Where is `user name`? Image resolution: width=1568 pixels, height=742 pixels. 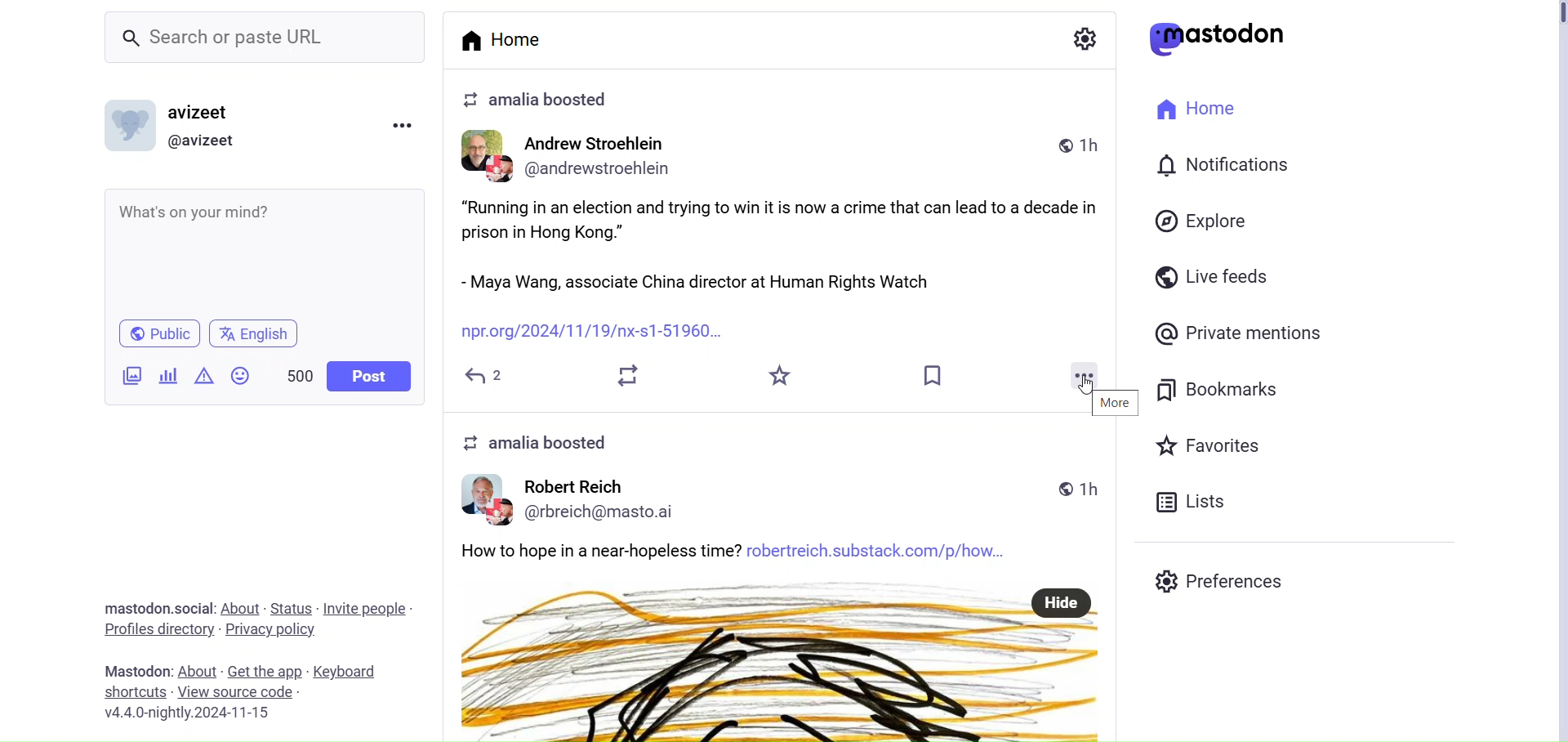
user name is located at coordinates (601, 145).